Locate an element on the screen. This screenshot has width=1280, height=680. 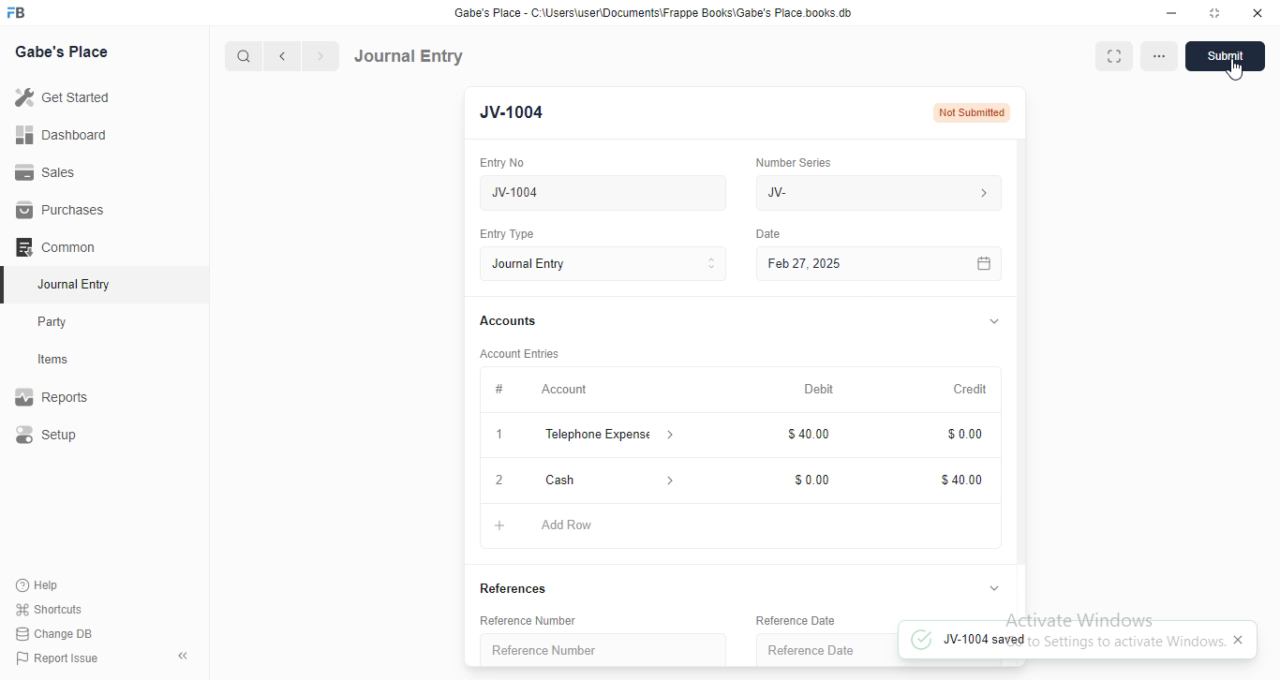
2 is located at coordinates (498, 480).